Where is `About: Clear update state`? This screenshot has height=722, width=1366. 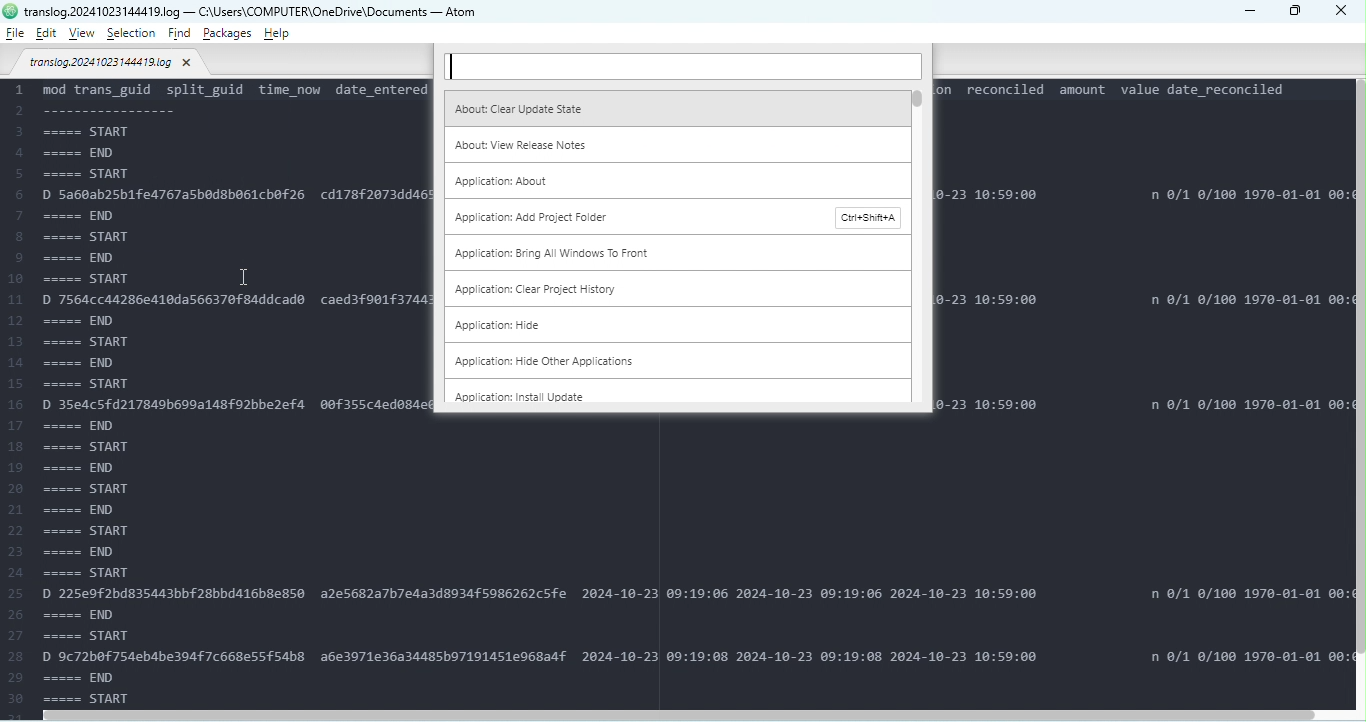
About: Clear update state is located at coordinates (673, 107).